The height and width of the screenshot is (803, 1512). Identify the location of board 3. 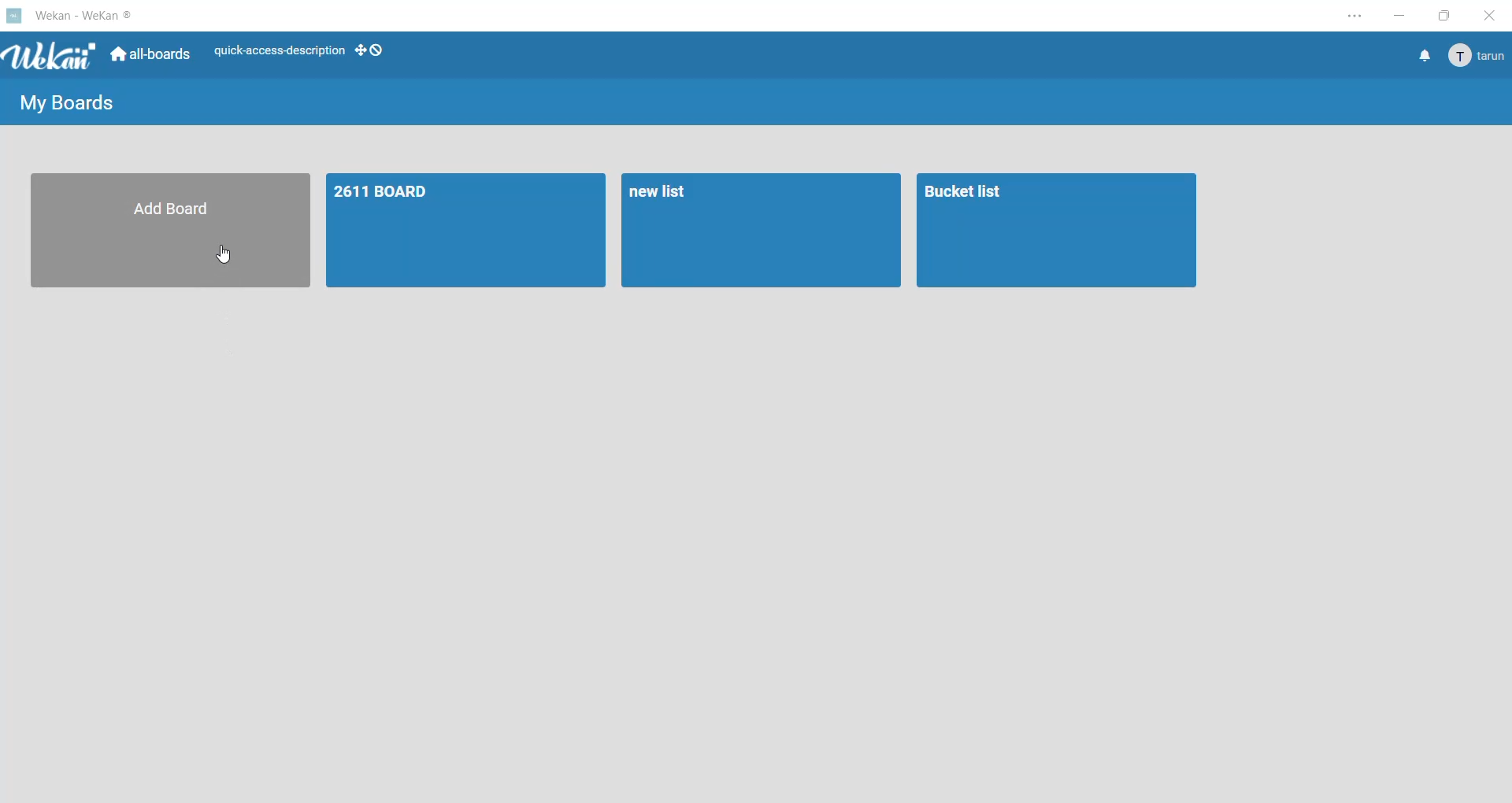
(1058, 231).